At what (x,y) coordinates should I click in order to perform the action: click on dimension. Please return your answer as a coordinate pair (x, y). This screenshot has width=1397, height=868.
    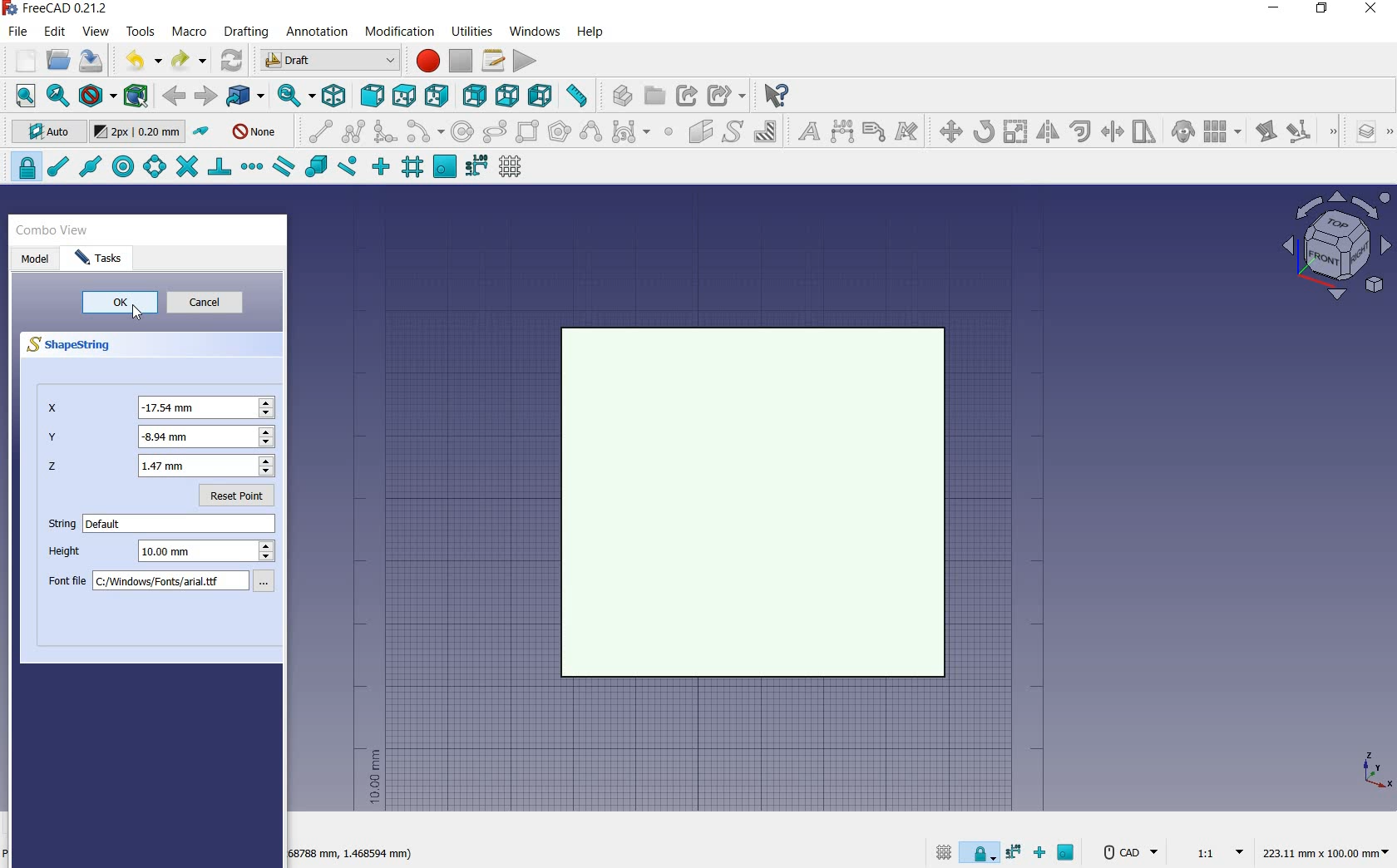
    Looking at the image, I should click on (843, 133).